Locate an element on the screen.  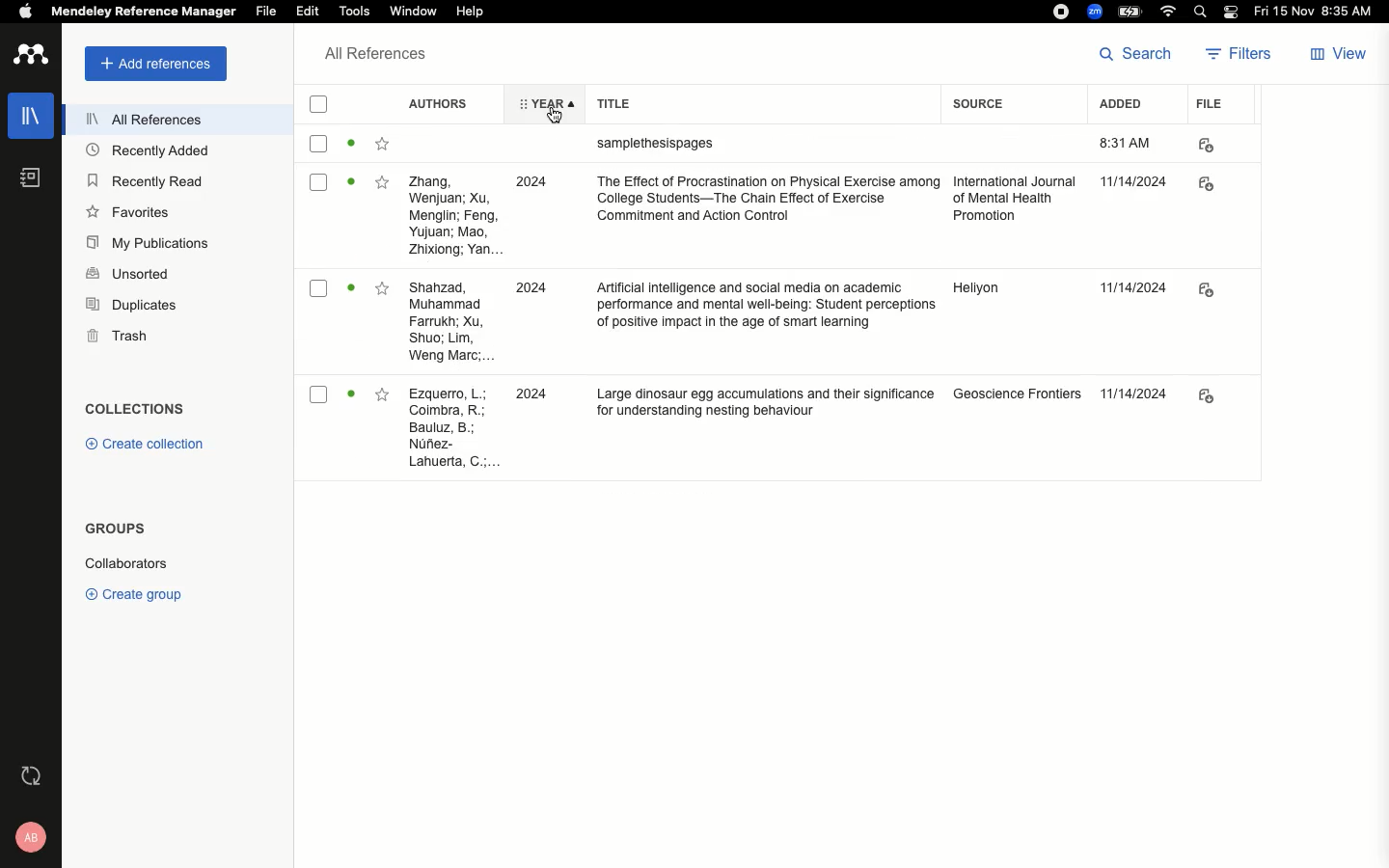
File is located at coordinates (1208, 106).